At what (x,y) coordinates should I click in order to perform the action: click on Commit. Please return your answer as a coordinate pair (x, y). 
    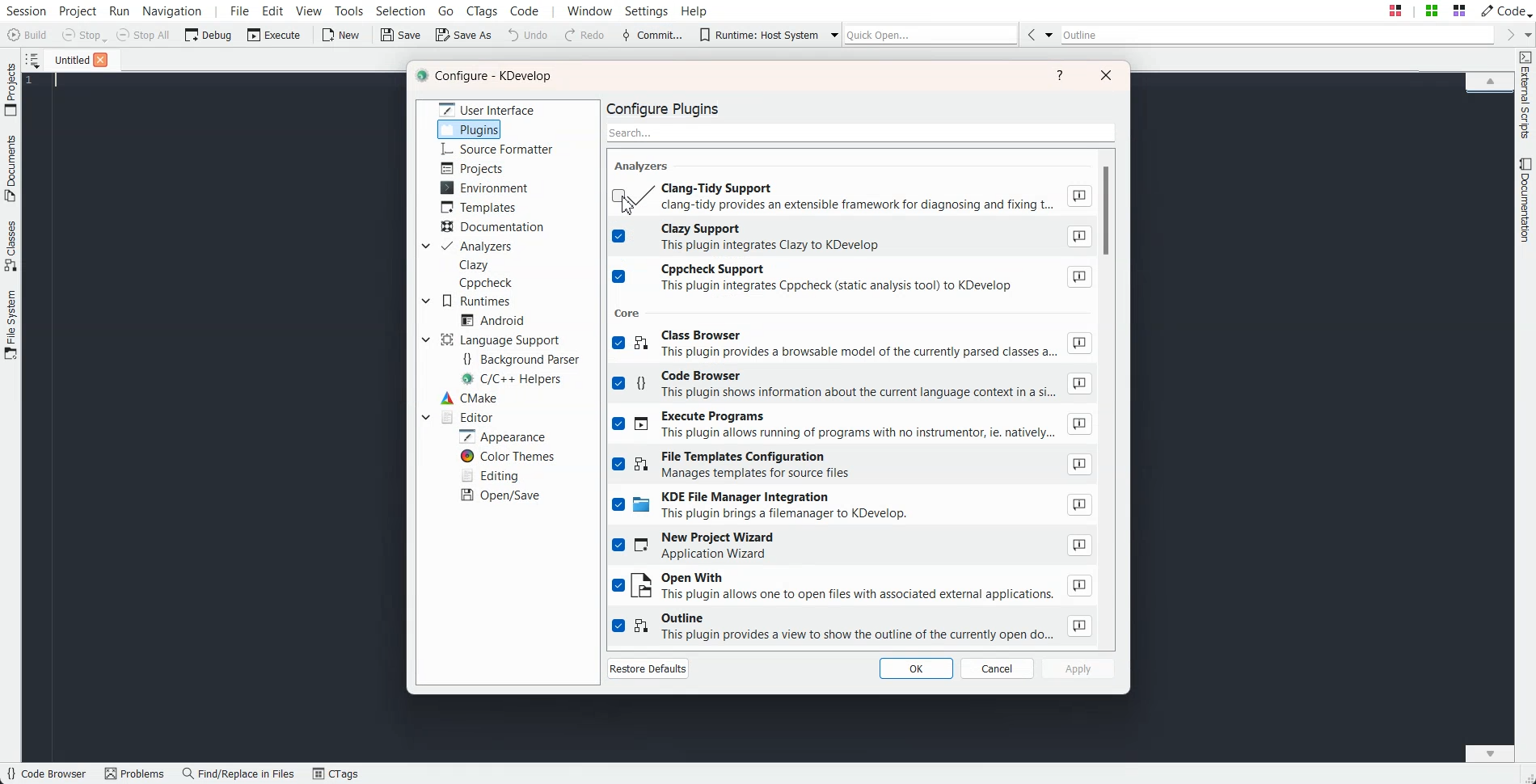
    Looking at the image, I should click on (652, 36).